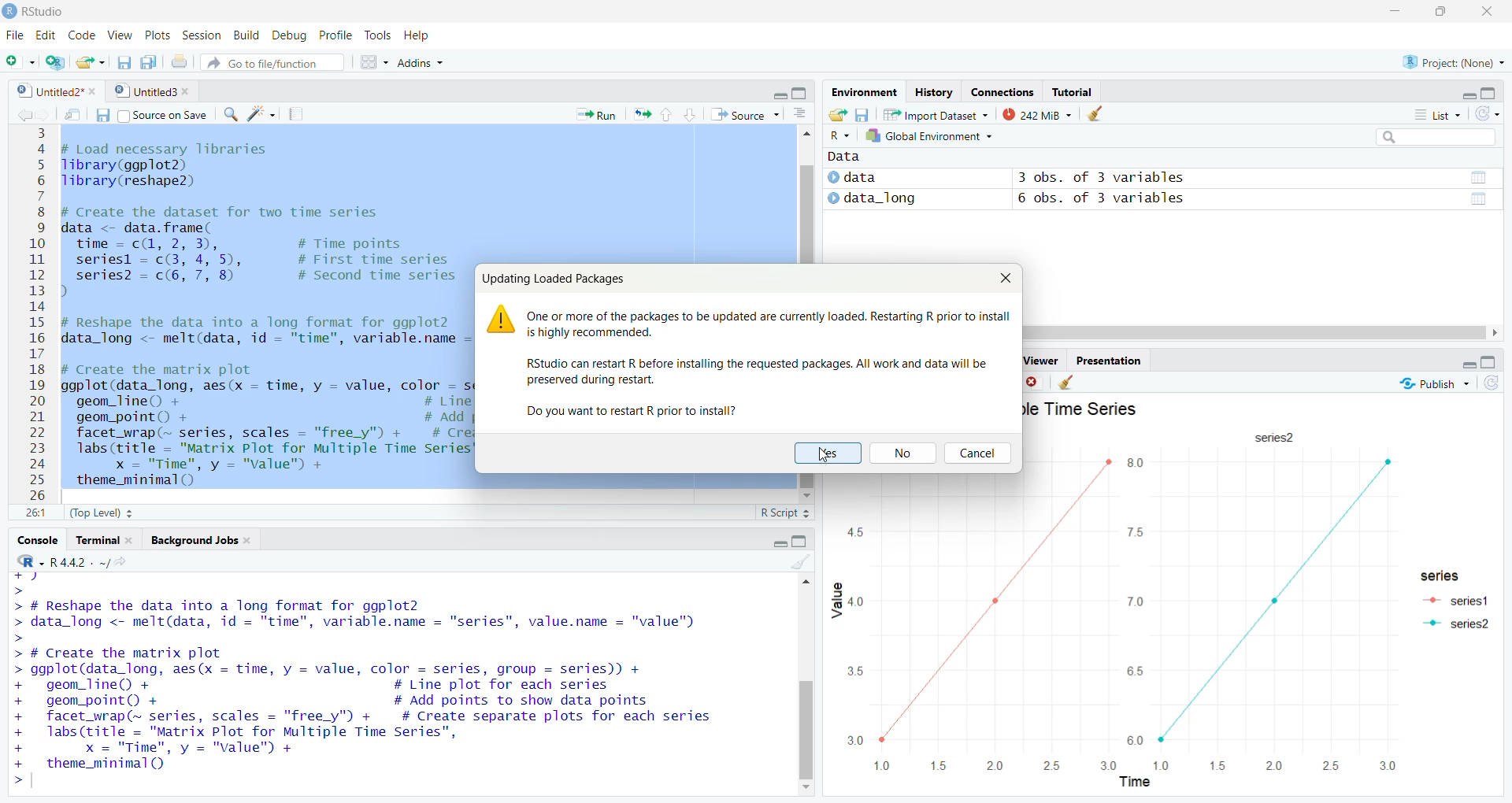 This screenshot has height=803, width=1512. Describe the element at coordinates (784, 513) in the screenshot. I see `R Script ` at that location.